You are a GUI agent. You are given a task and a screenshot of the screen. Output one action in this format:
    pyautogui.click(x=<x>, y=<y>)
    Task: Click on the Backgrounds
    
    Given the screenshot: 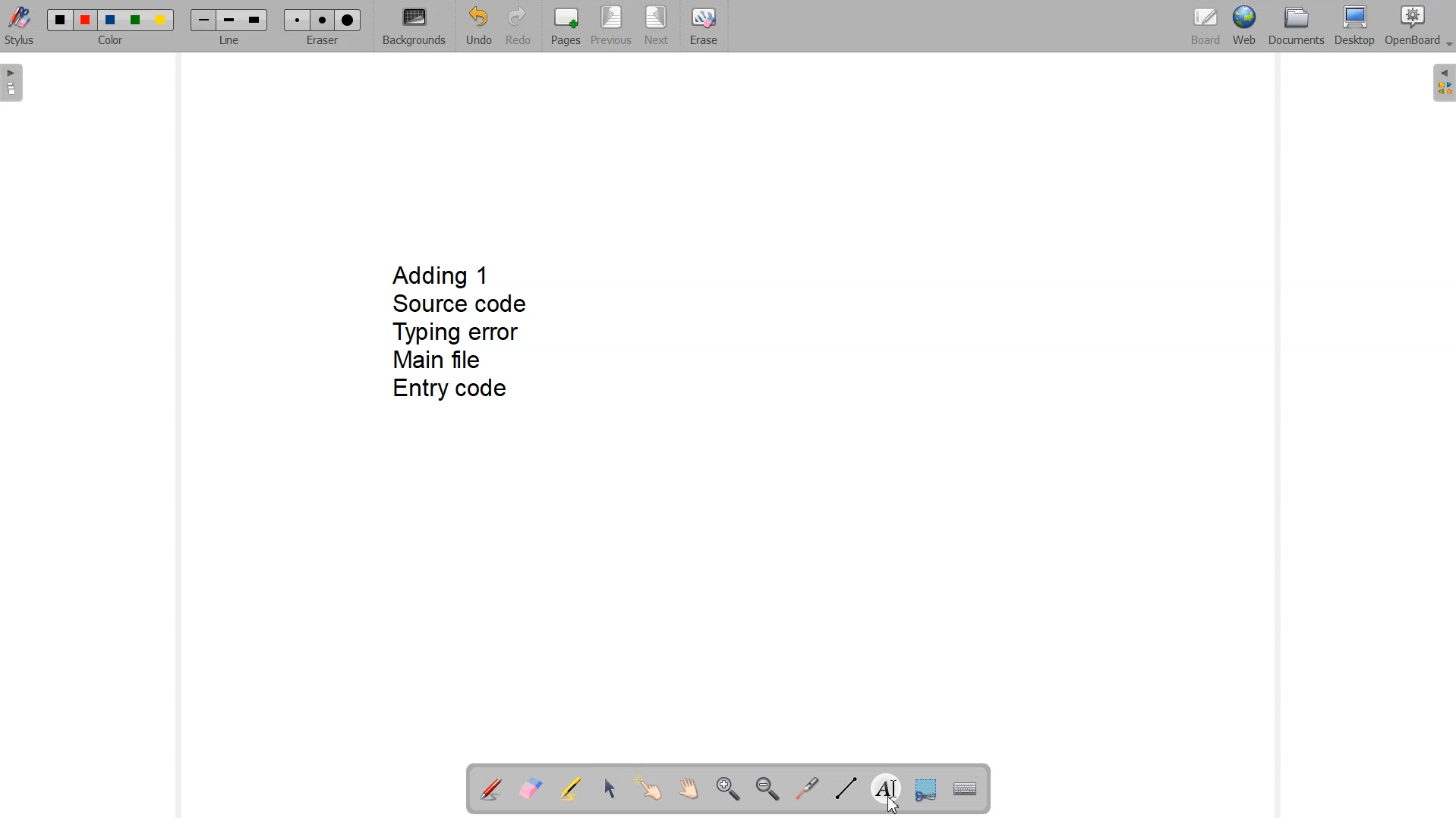 What is the action you would take?
    pyautogui.click(x=414, y=27)
    